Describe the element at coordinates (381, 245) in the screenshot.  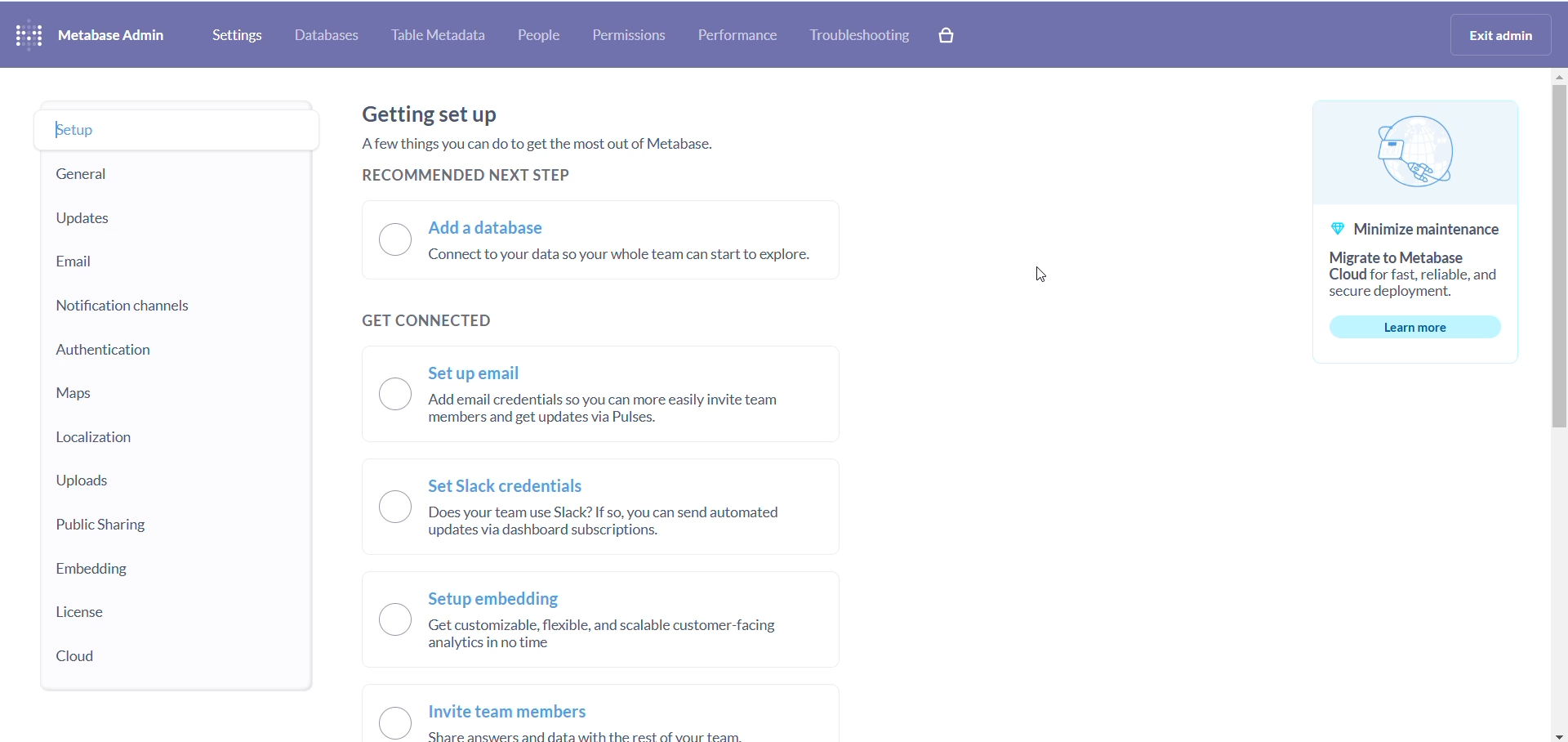
I see `add database radio button` at that location.